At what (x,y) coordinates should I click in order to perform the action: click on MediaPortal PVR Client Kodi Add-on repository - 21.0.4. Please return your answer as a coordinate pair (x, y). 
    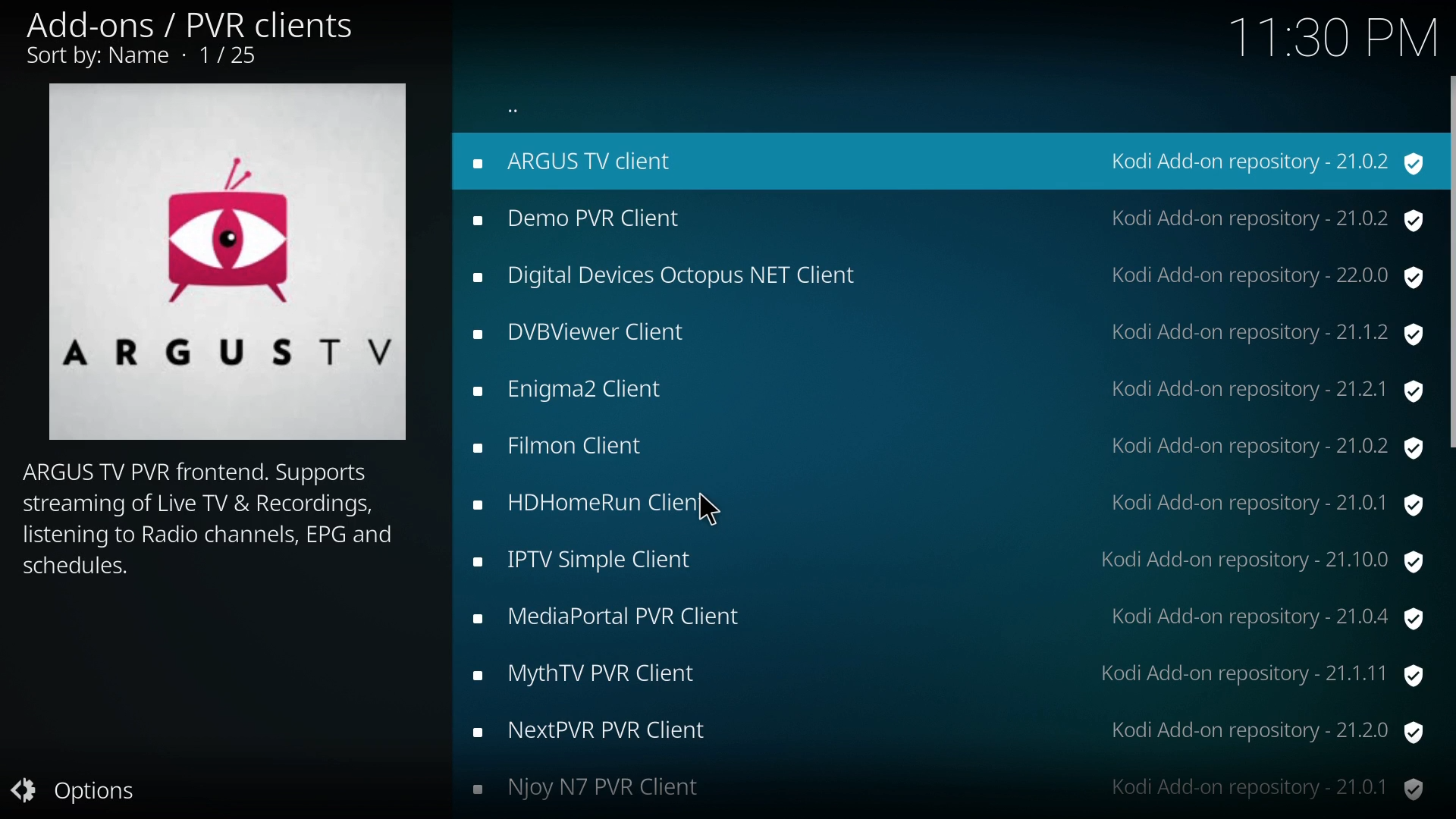
    Looking at the image, I should click on (948, 617).